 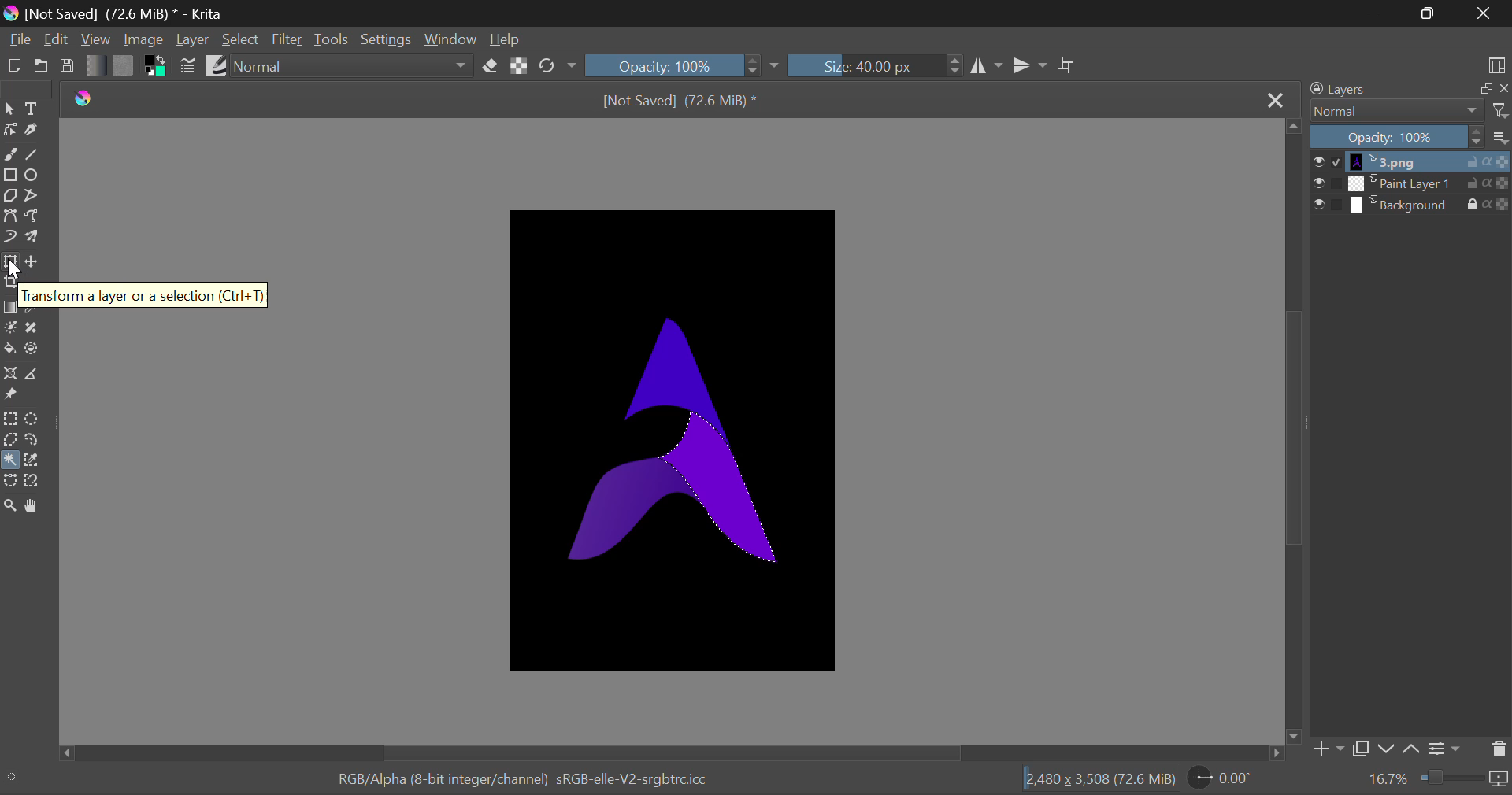 I want to click on Delete Layer, so click(x=1495, y=749).